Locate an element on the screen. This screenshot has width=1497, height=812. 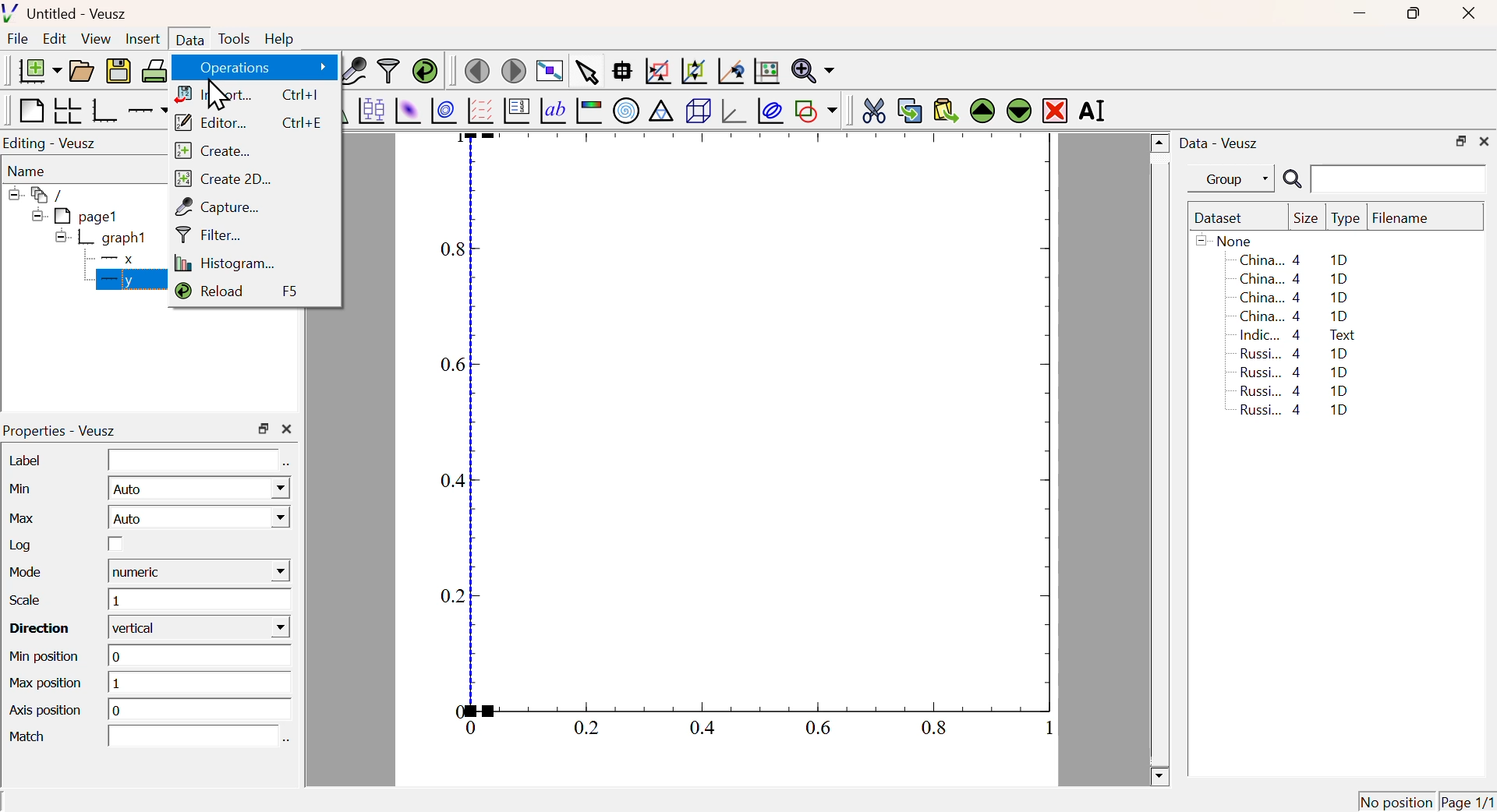
Mode is located at coordinates (30, 574).